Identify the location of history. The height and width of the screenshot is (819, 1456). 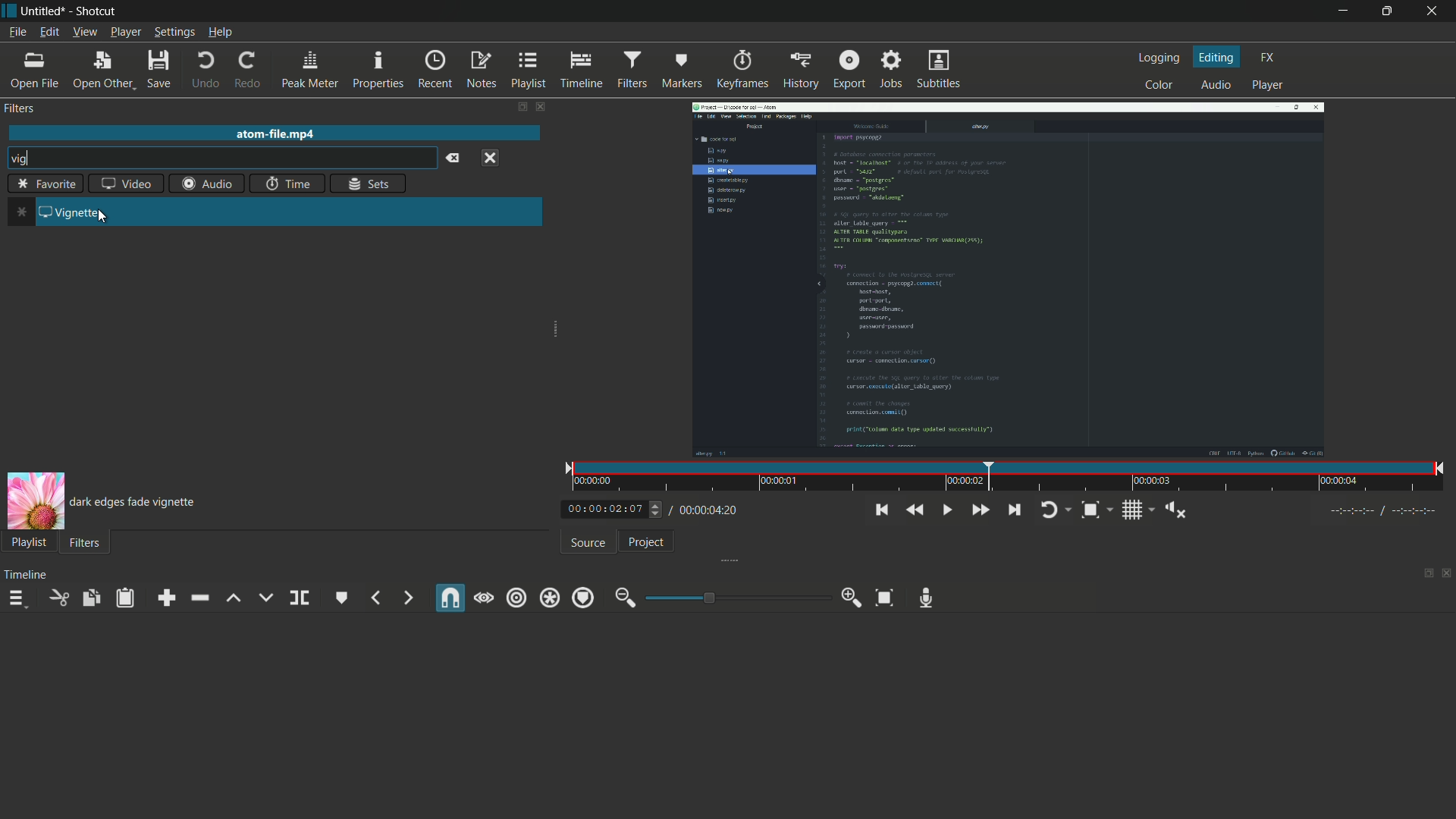
(802, 71).